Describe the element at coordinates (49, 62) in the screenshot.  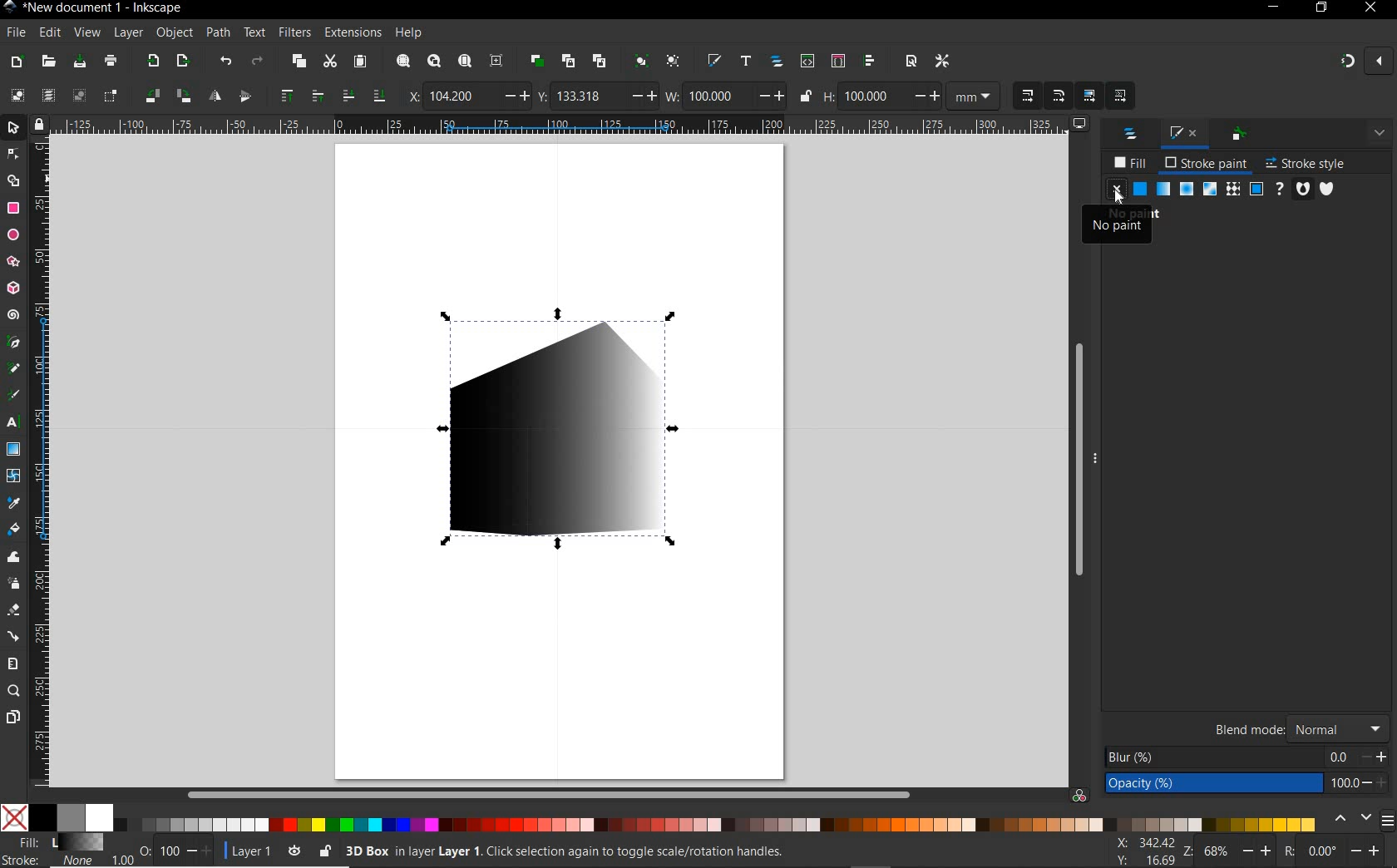
I see `OPEN` at that location.